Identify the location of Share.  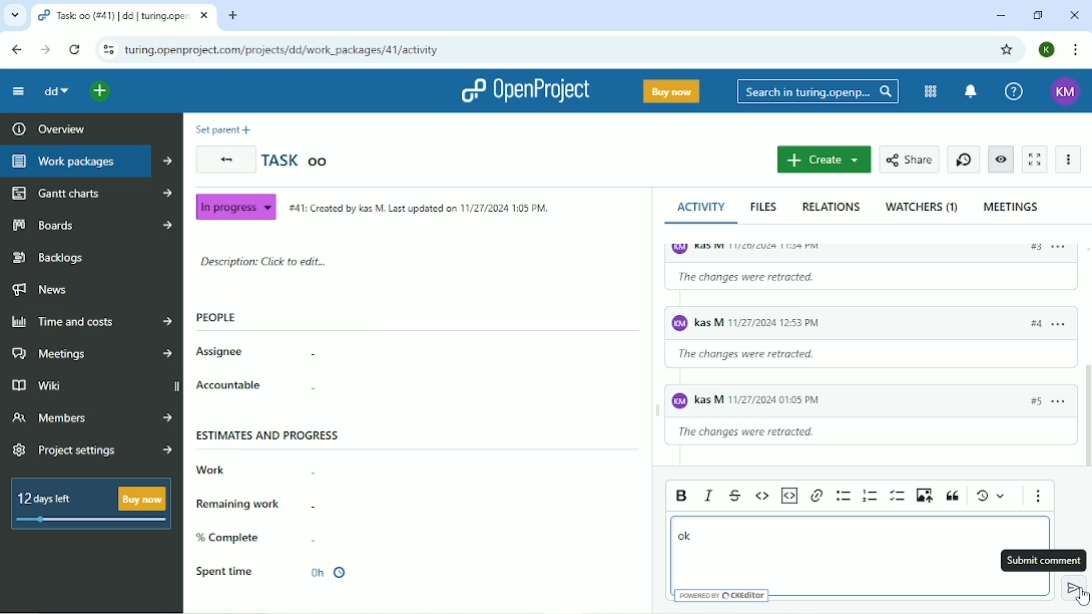
(910, 159).